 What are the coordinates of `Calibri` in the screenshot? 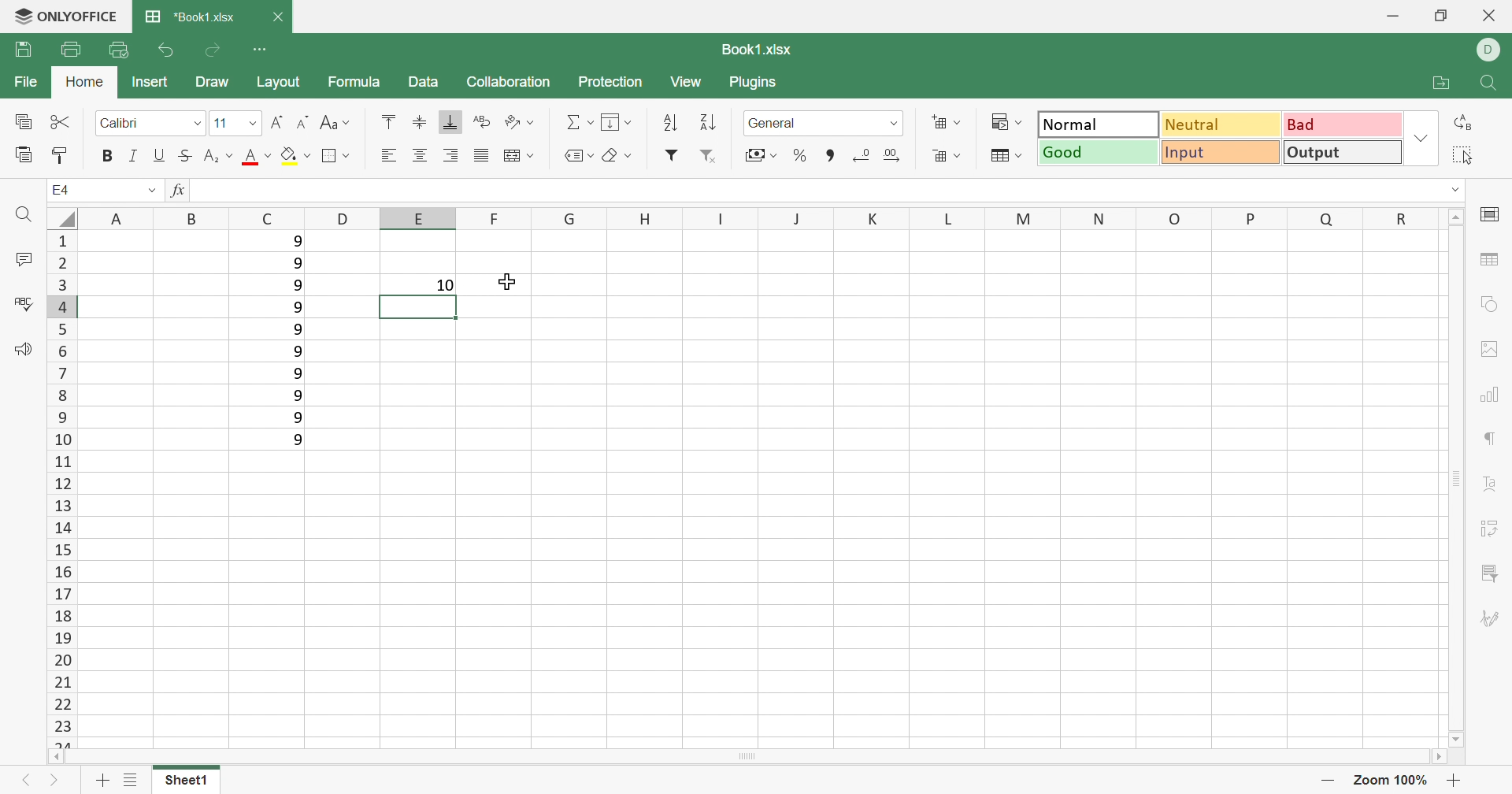 It's located at (124, 124).